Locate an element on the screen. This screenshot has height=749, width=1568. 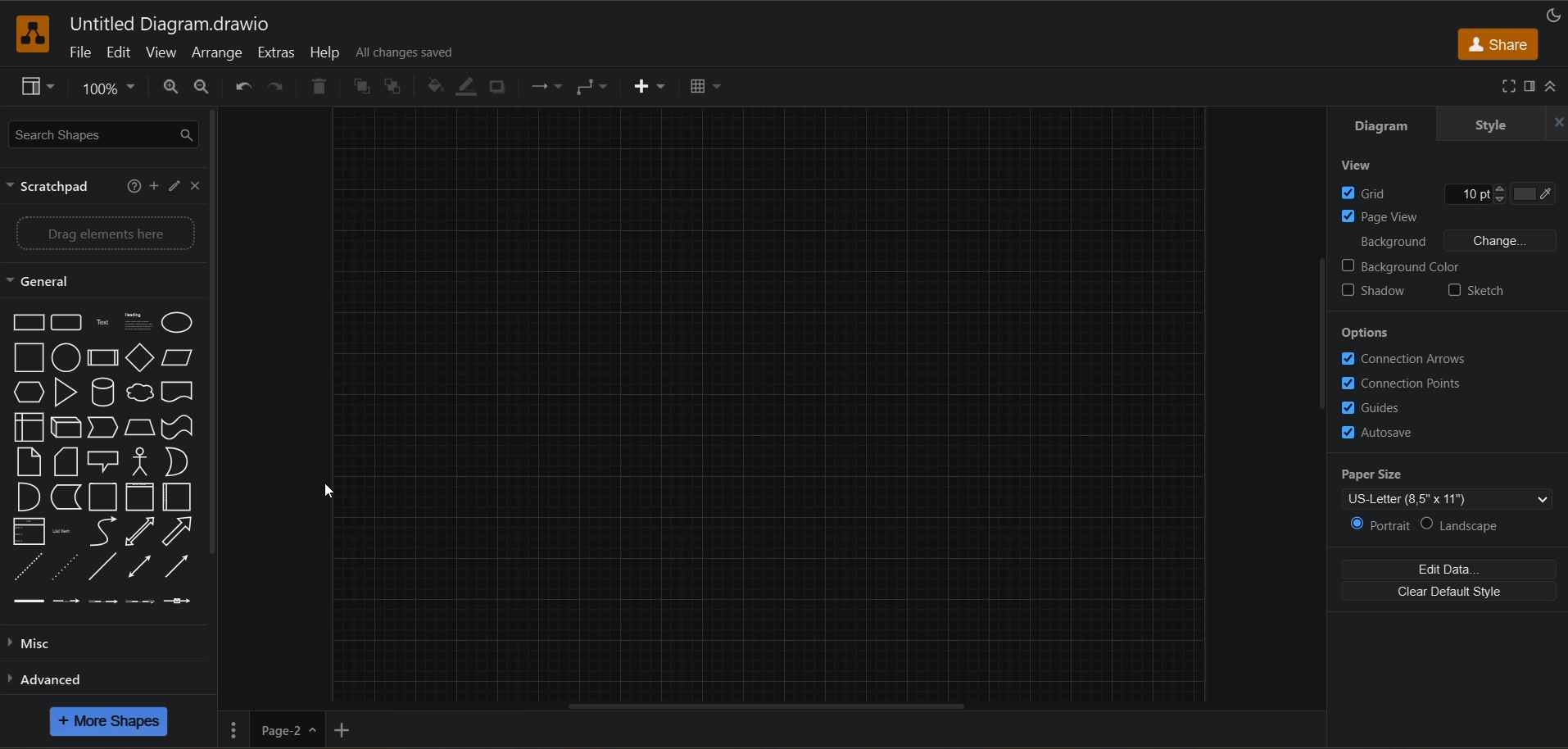
zoom is located at coordinates (107, 86).